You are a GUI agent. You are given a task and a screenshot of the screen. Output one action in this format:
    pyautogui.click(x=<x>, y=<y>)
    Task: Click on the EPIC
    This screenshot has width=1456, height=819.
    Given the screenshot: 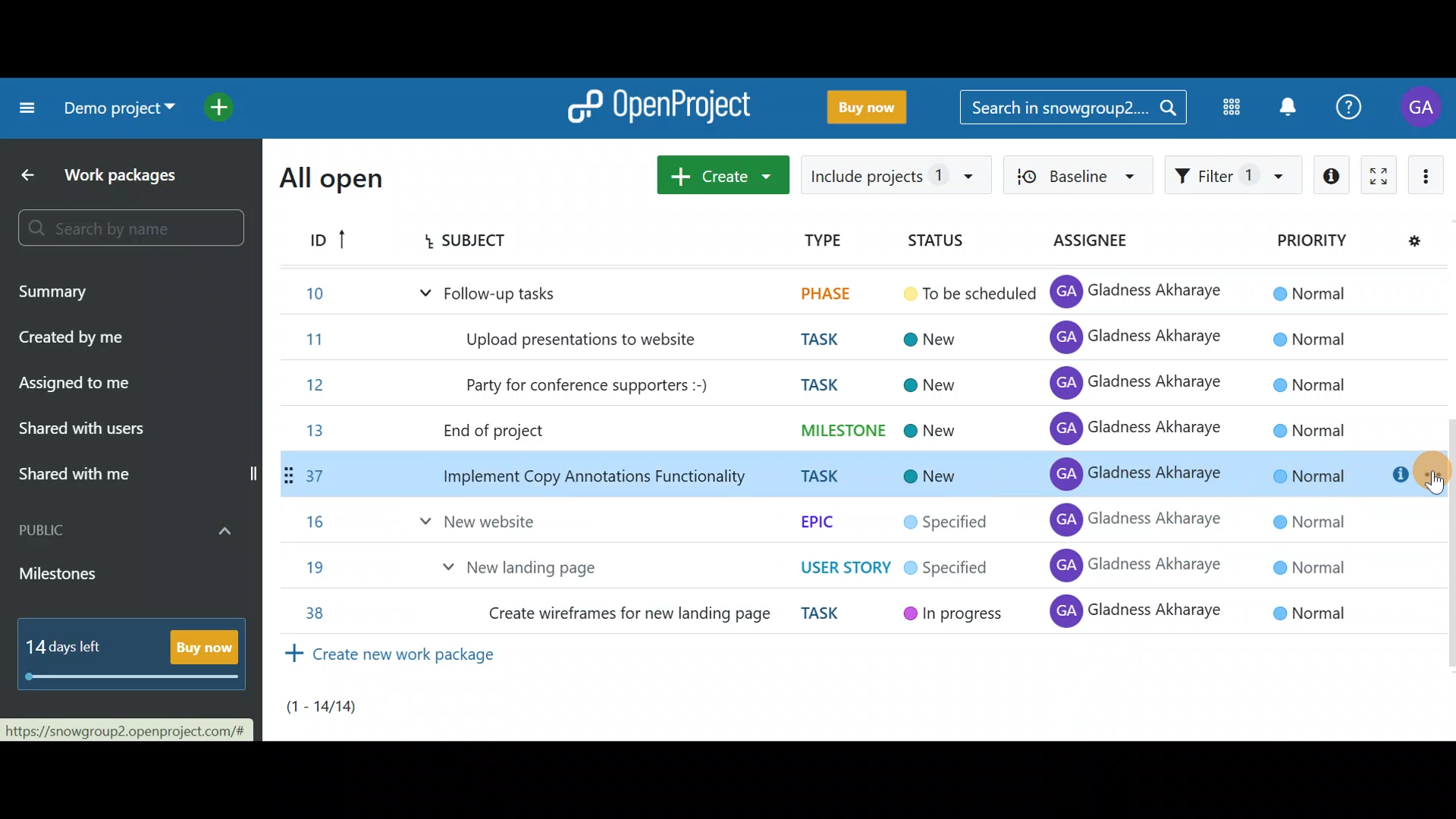 What is the action you would take?
    pyautogui.click(x=822, y=521)
    